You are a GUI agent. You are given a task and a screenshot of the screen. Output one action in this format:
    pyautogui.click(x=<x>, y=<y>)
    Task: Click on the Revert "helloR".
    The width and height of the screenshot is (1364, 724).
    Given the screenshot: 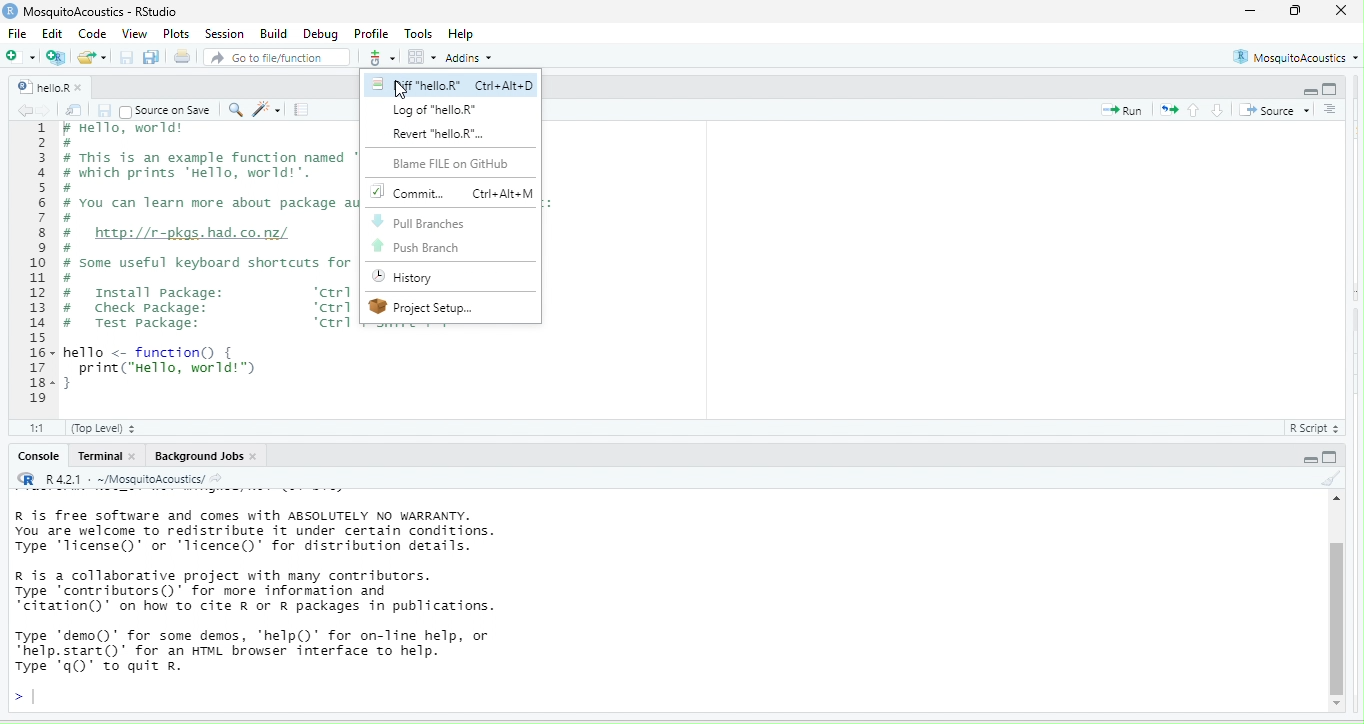 What is the action you would take?
    pyautogui.click(x=441, y=135)
    